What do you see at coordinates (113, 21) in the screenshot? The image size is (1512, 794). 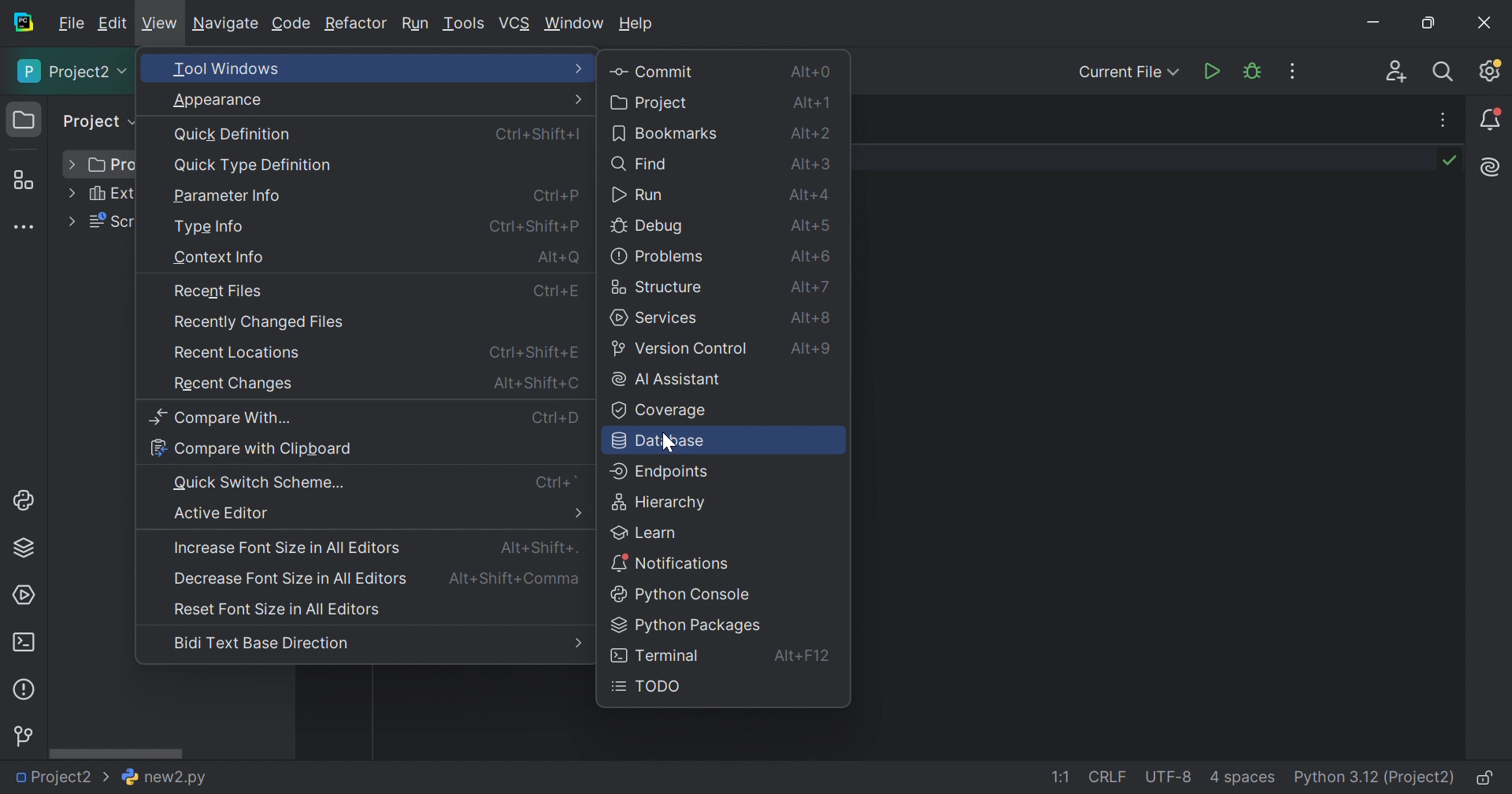 I see `Edit` at bounding box center [113, 21].